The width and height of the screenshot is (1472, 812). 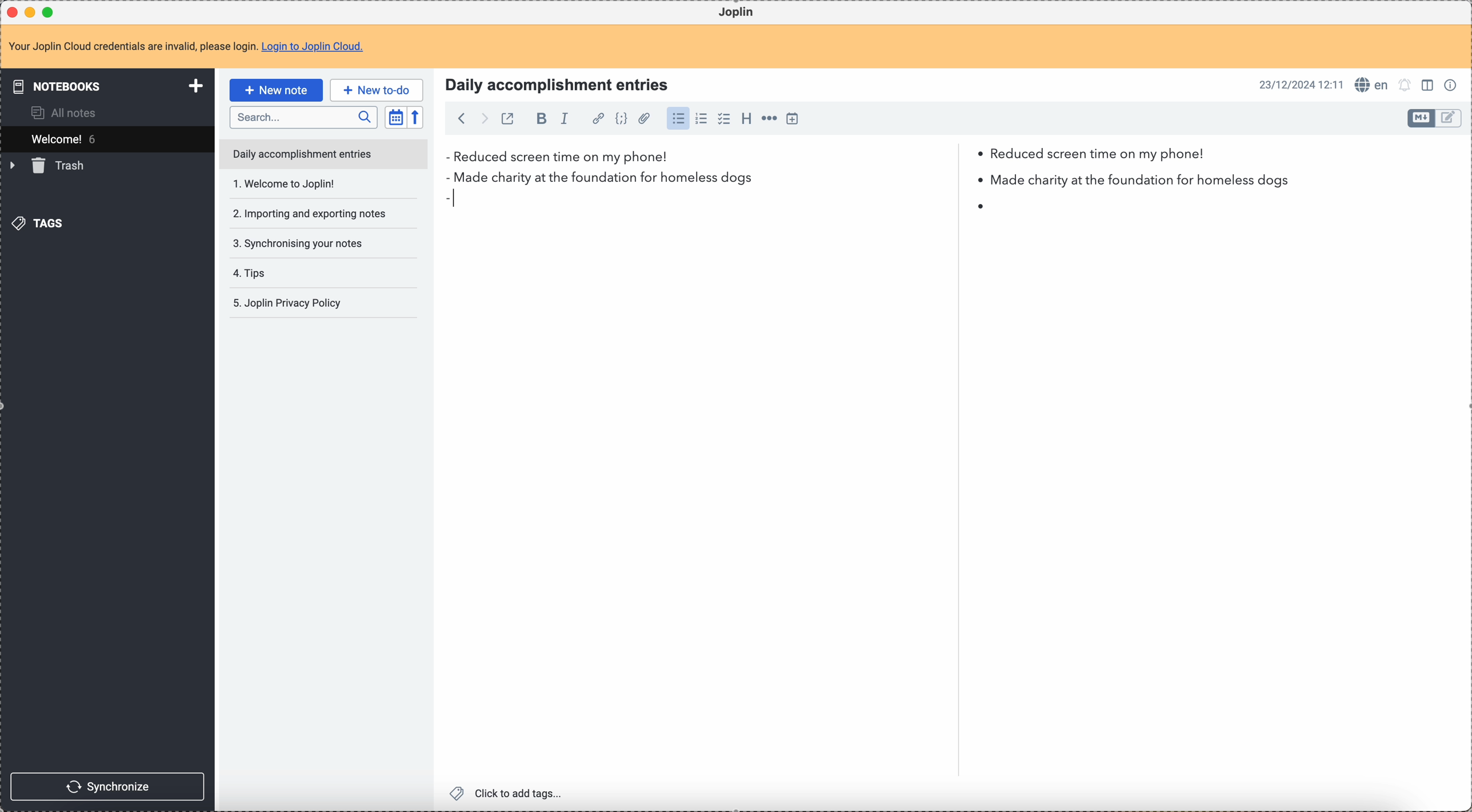 I want to click on maximize, so click(x=49, y=11).